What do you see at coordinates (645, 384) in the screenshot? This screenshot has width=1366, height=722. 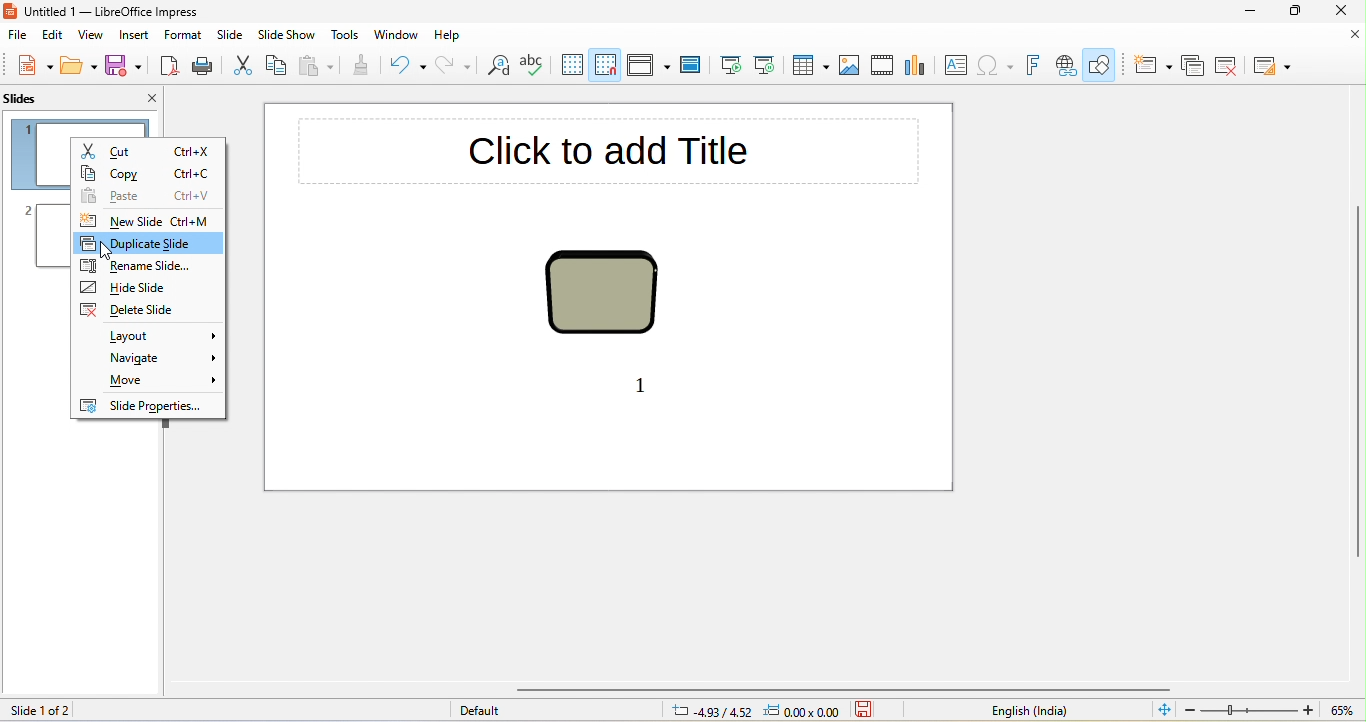 I see `1` at bounding box center [645, 384].